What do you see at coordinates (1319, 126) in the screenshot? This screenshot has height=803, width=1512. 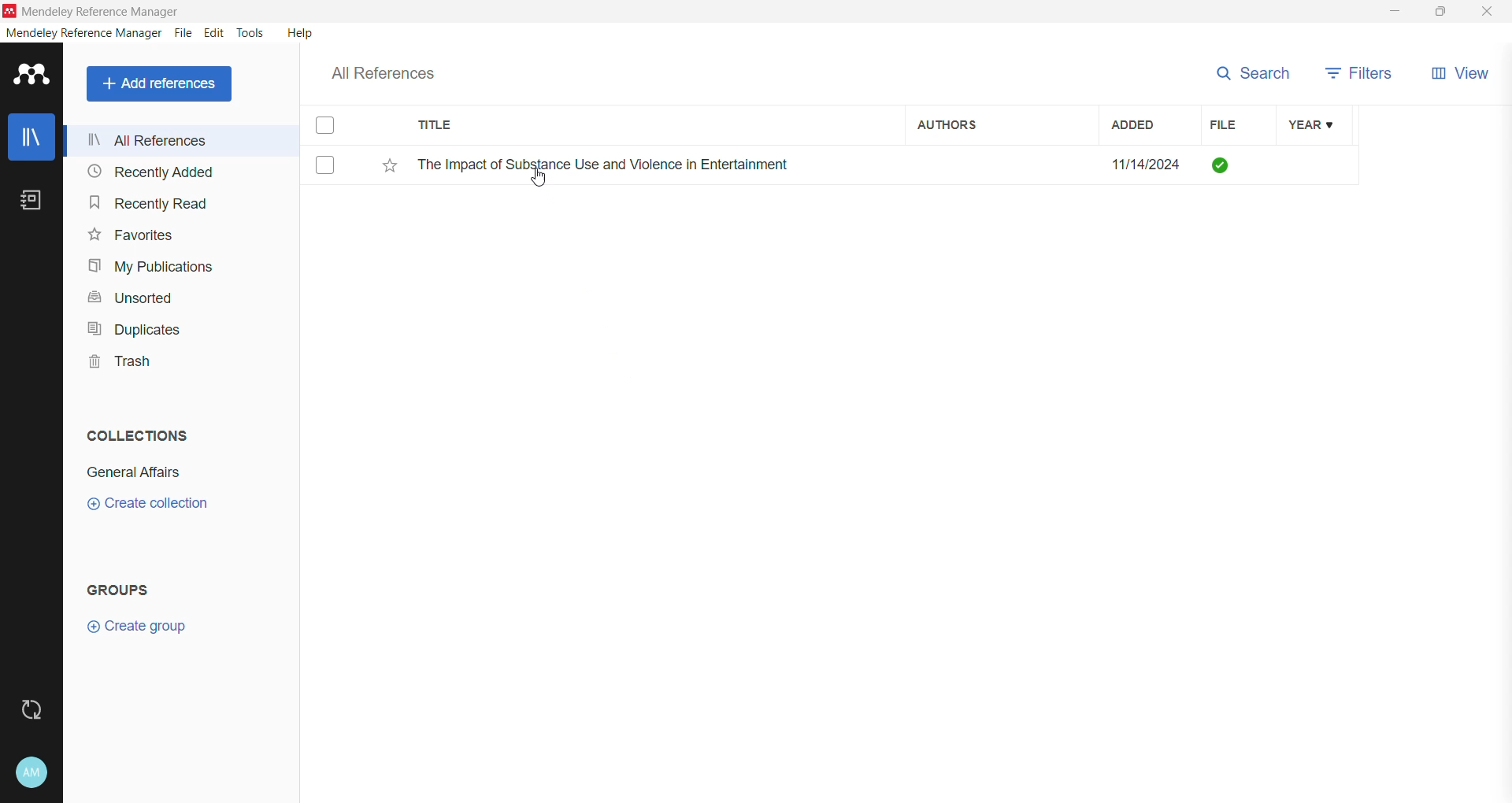 I see `Year` at bounding box center [1319, 126].